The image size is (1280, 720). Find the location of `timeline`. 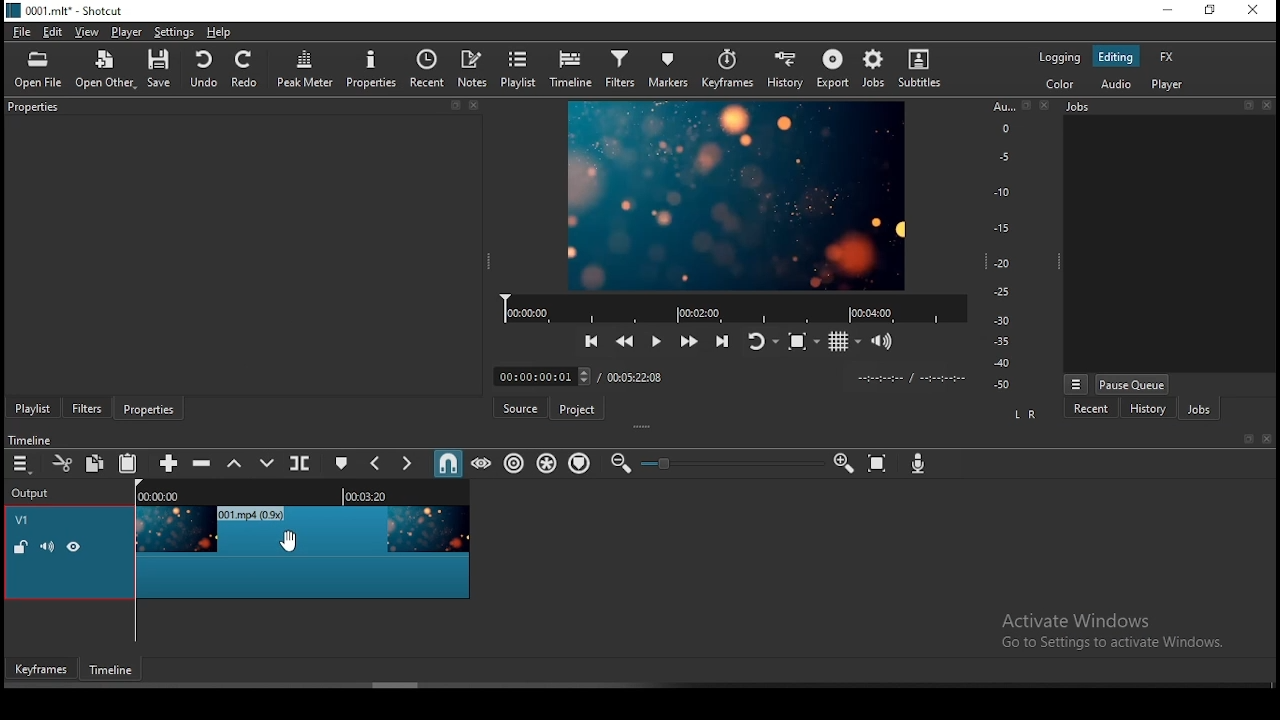

timeline is located at coordinates (299, 493).